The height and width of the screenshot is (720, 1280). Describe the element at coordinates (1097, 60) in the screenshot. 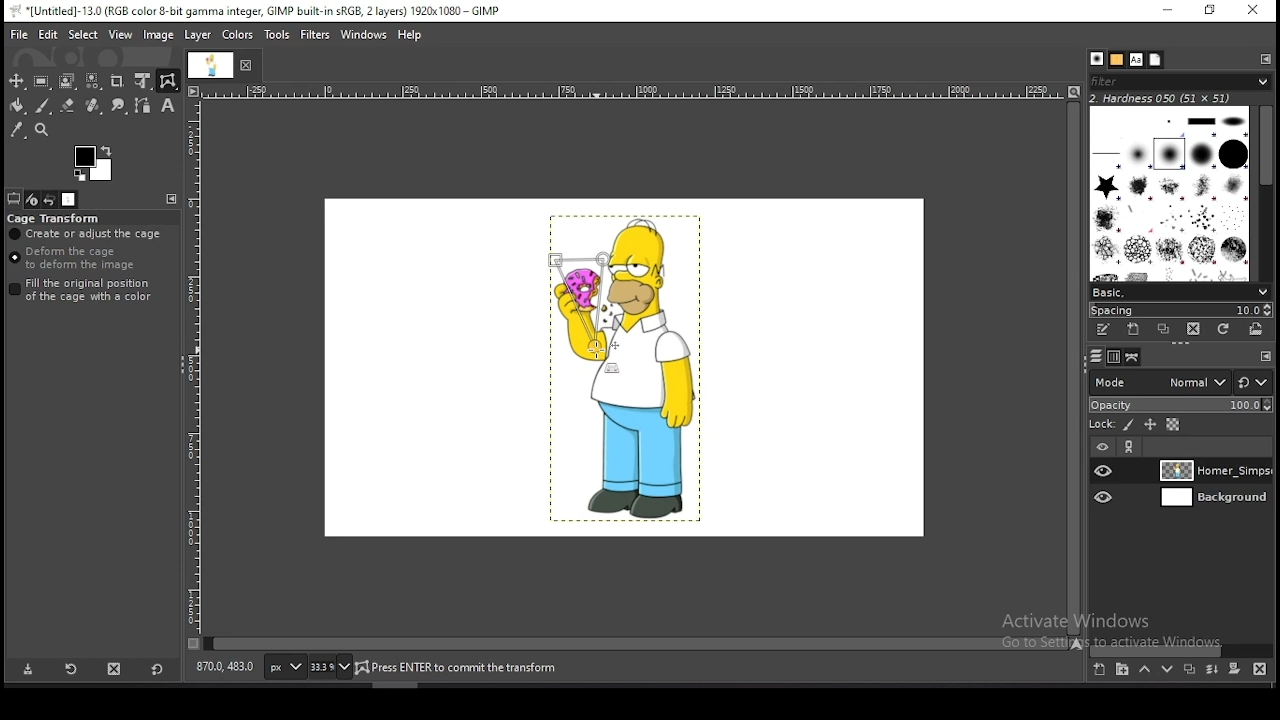

I see `brushes` at that location.